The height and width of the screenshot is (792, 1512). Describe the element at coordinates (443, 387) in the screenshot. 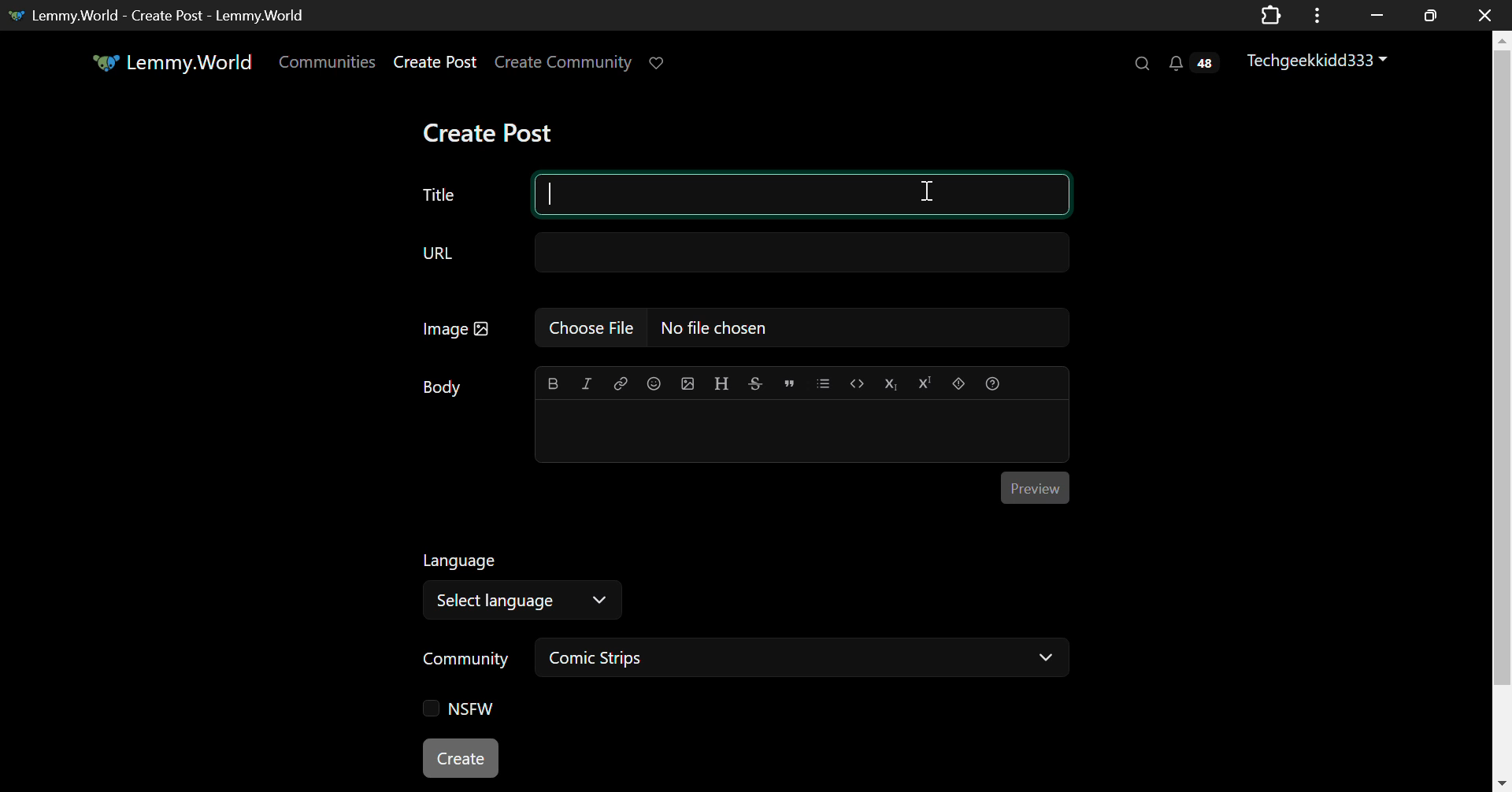

I see `Body` at that location.